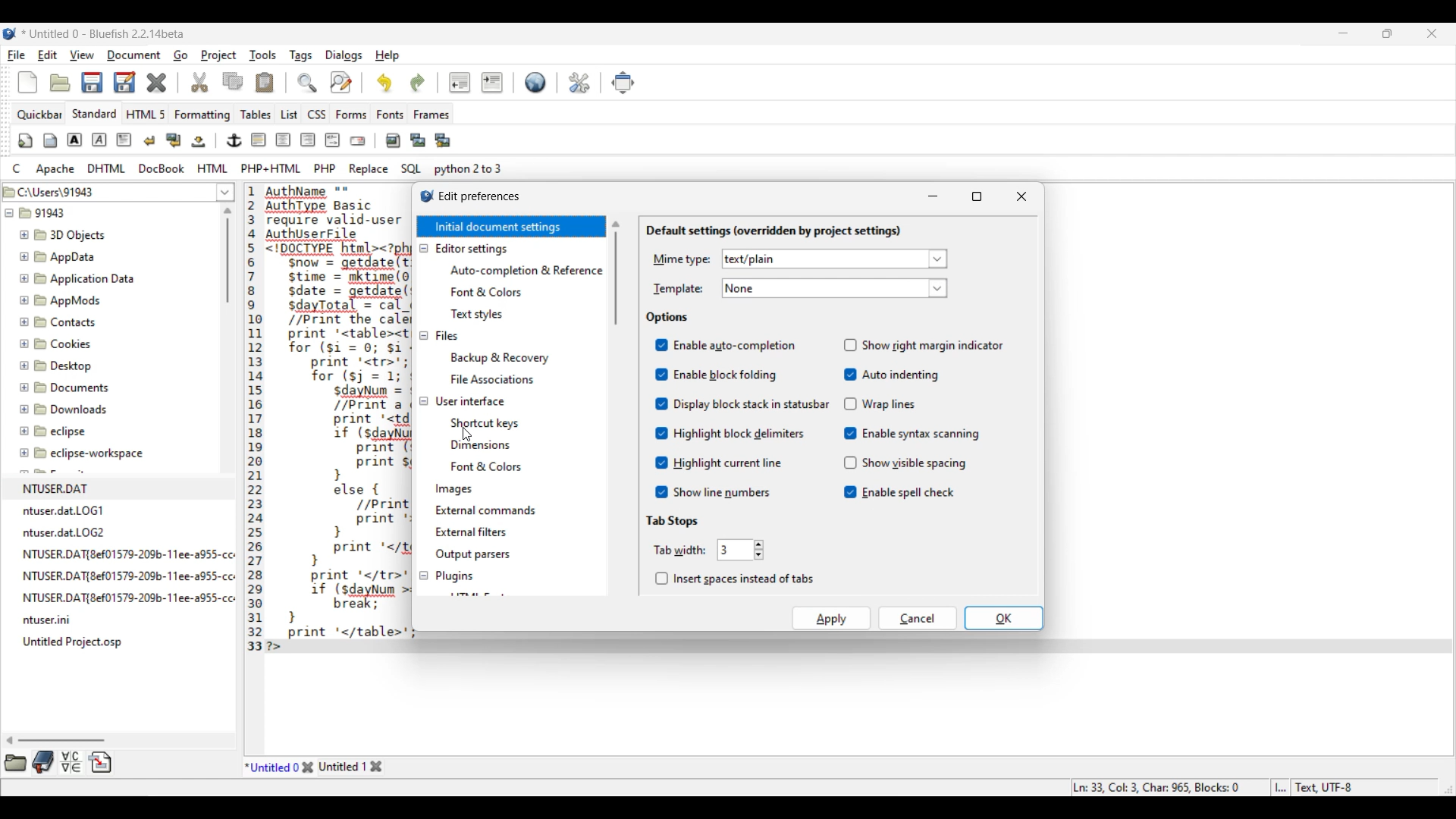 Image resolution: width=1456 pixels, height=819 pixels. Describe the element at coordinates (671, 521) in the screenshot. I see `Section title` at that location.